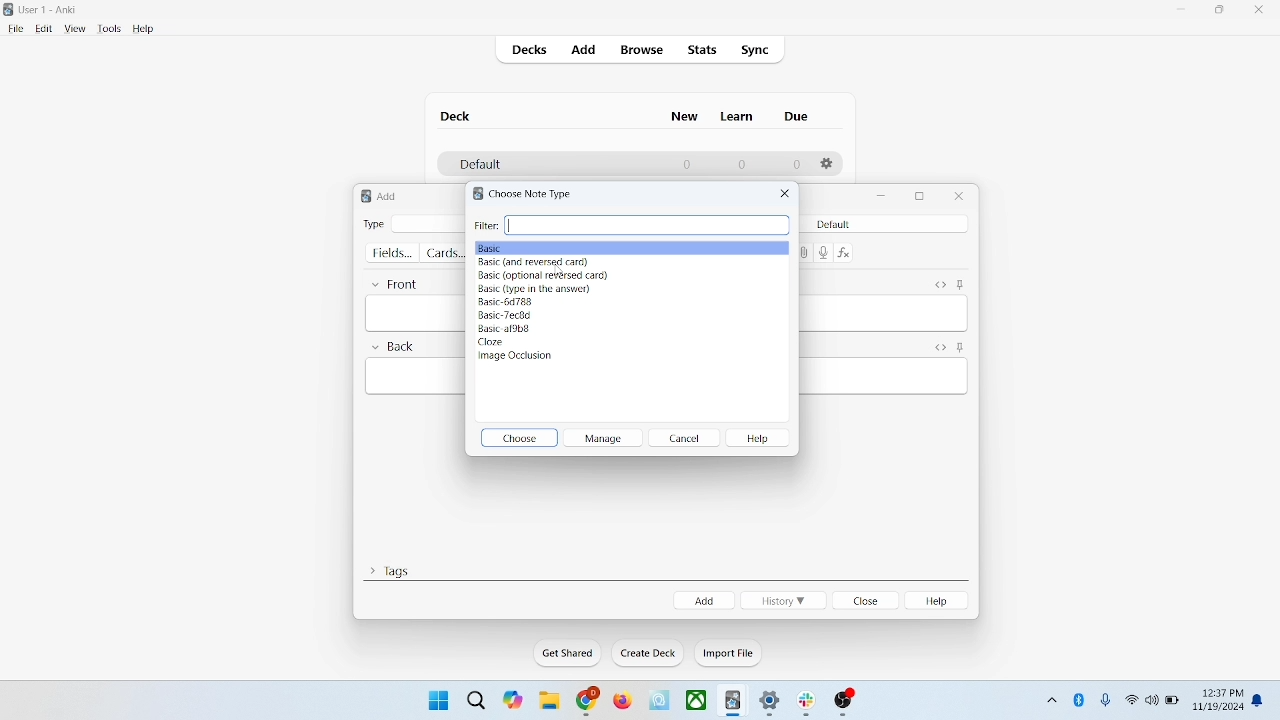  What do you see at coordinates (622, 701) in the screenshot?
I see `firefox` at bounding box center [622, 701].